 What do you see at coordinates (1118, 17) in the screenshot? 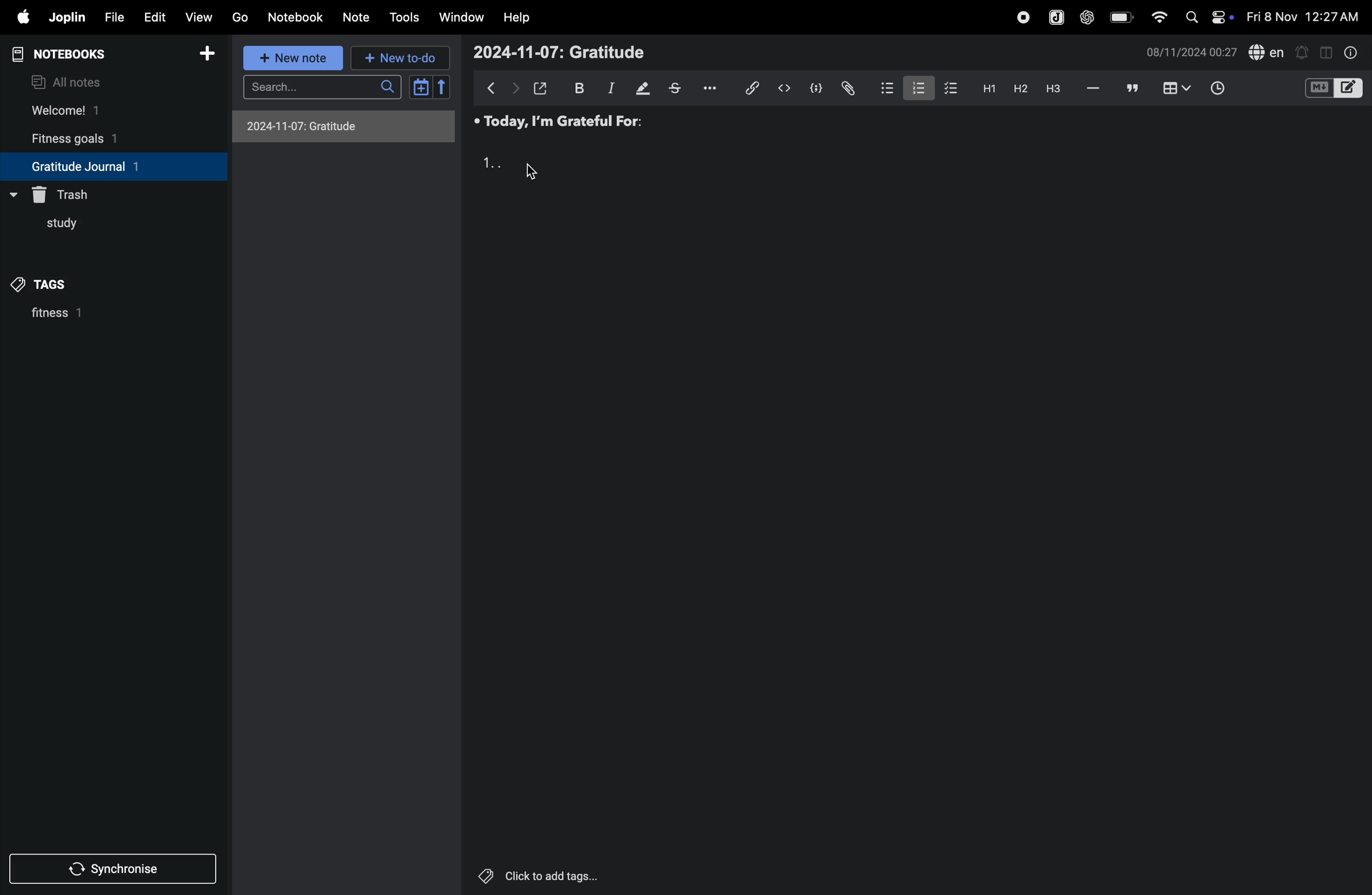
I see `battery` at bounding box center [1118, 17].